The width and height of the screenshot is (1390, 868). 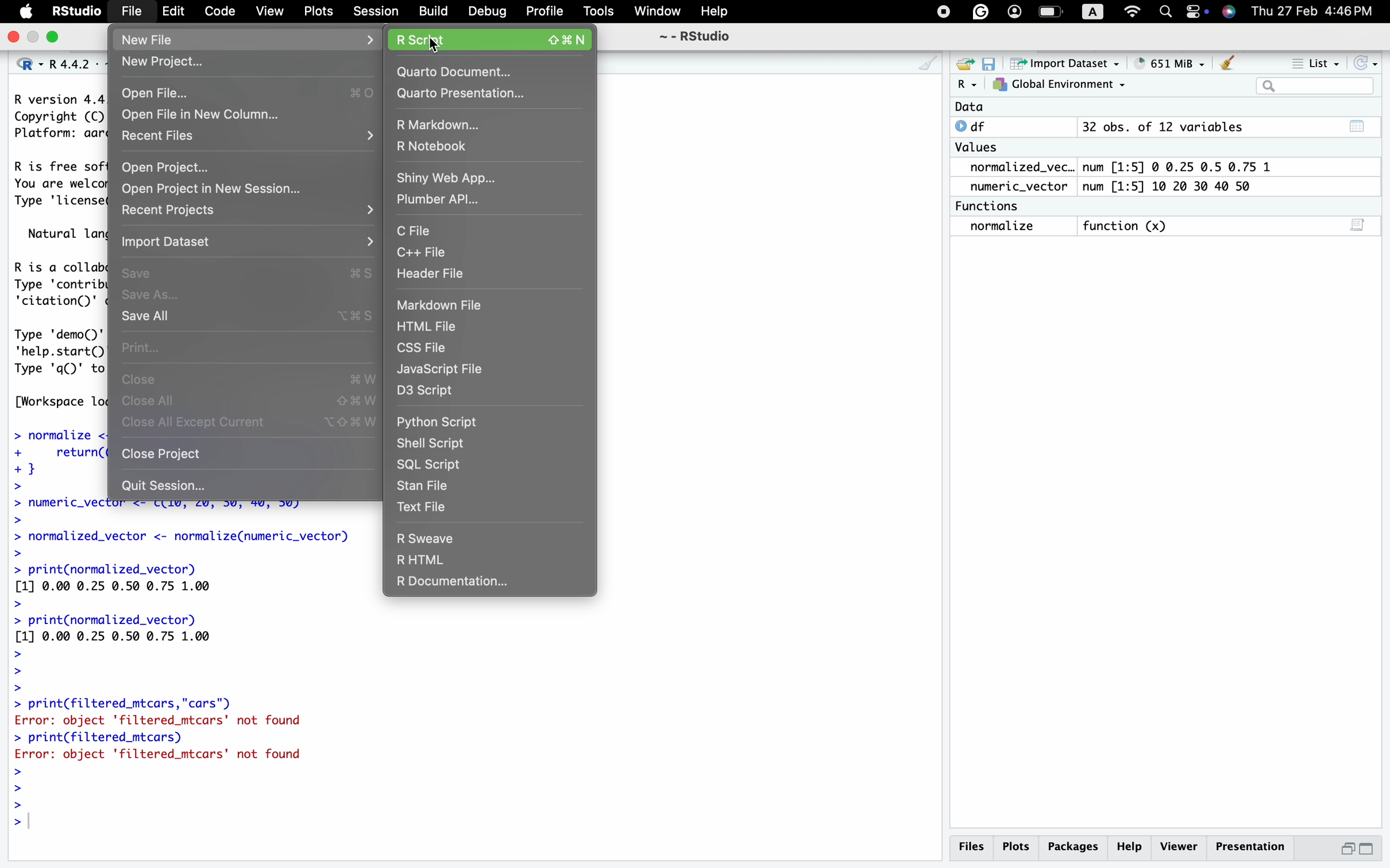 What do you see at coordinates (1167, 61) in the screenshot?
I see `® 651 MiB ` at bounding box center [1167, 61].